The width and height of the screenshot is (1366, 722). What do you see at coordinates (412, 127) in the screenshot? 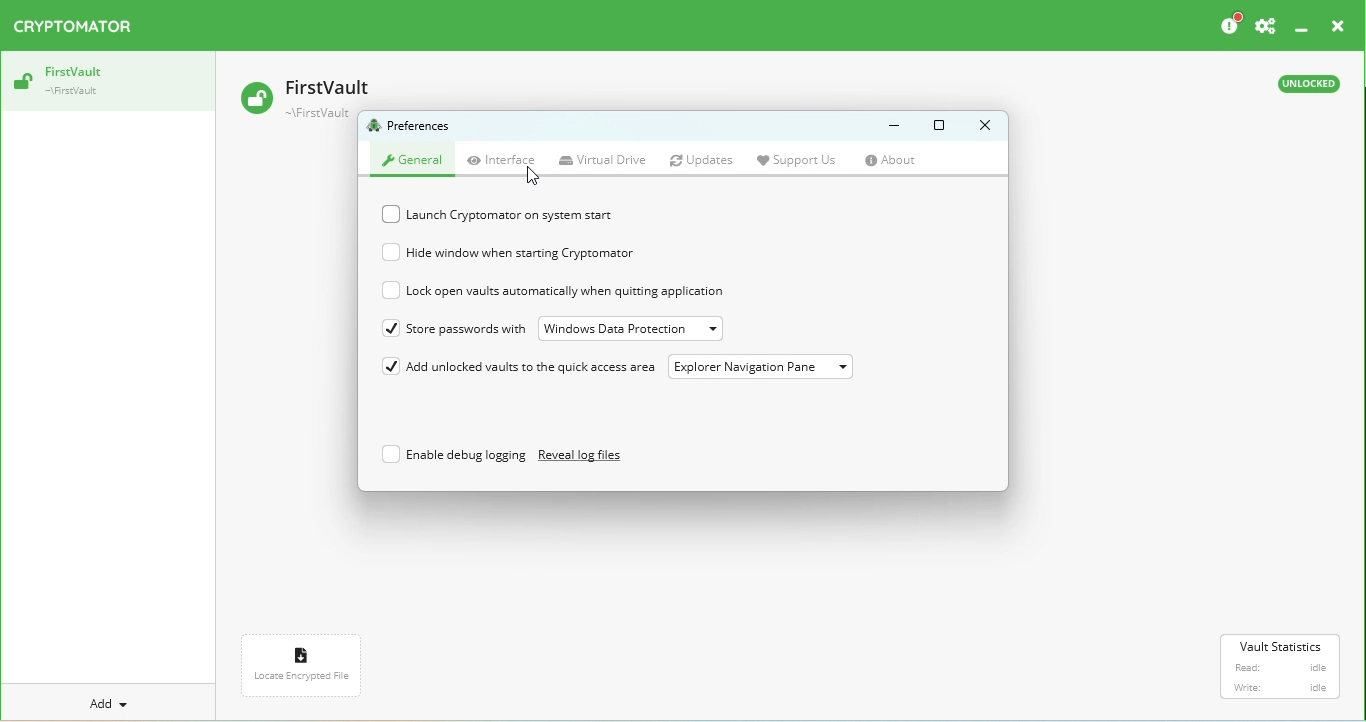
I see `Preferences` at bounding box center [412, 127].